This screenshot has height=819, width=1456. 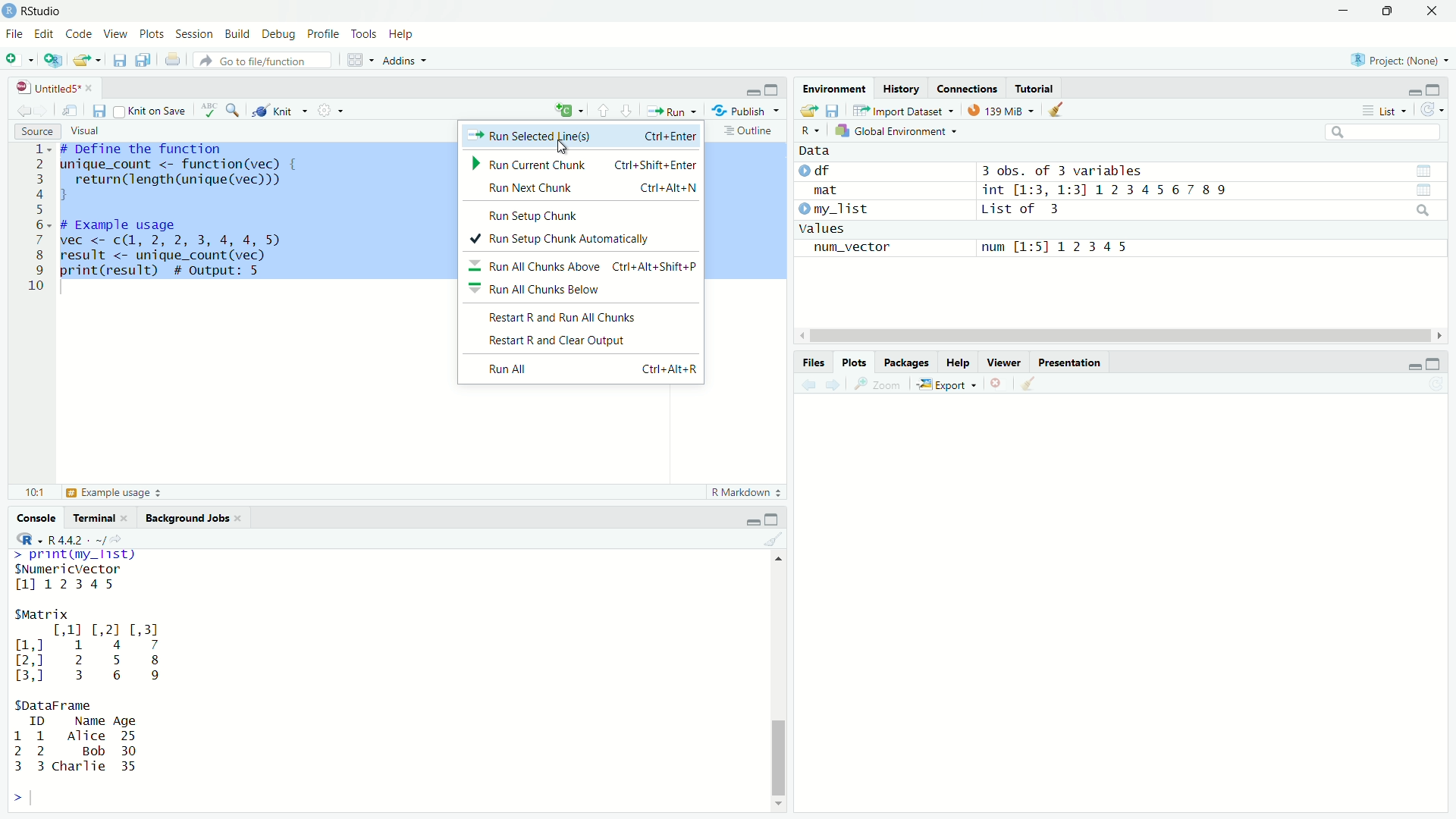 What do you see at coordinates (567, 111) in the screenshot?
I see `insert new code chunk` at bounding box center [567, 111].